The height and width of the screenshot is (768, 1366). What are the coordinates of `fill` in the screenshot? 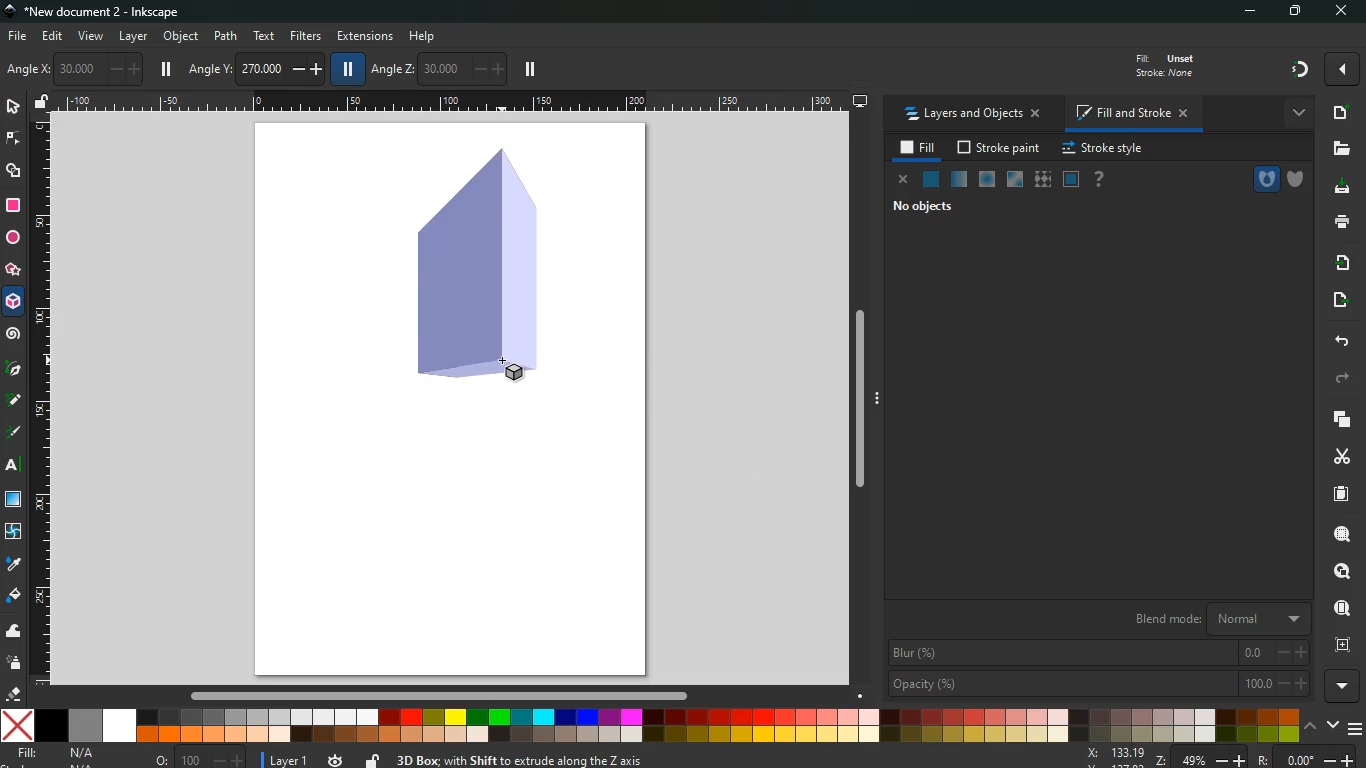 It's located at (919, 148).